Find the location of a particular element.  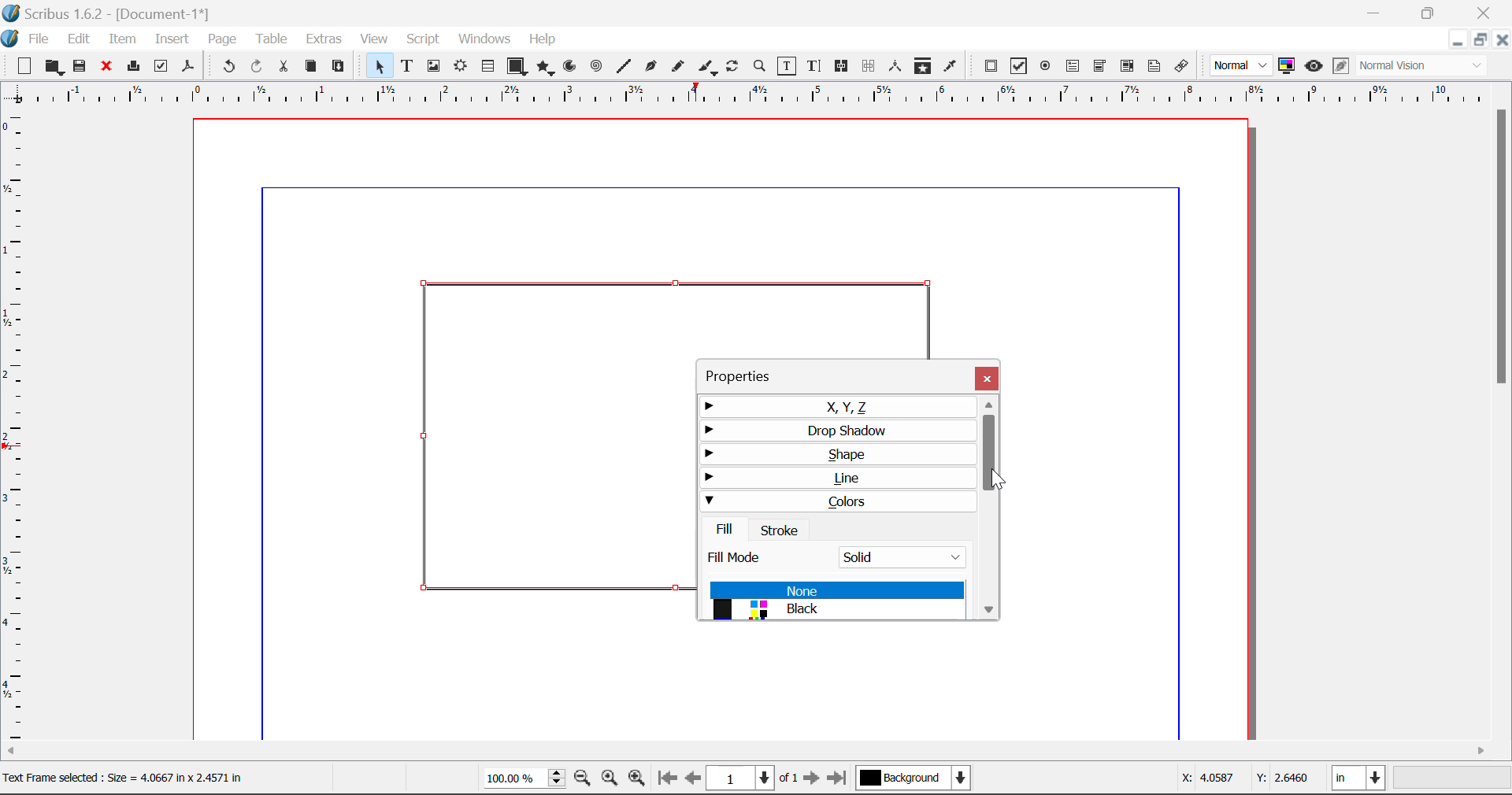

Text Annotation is located at coordinates (1154, 66).